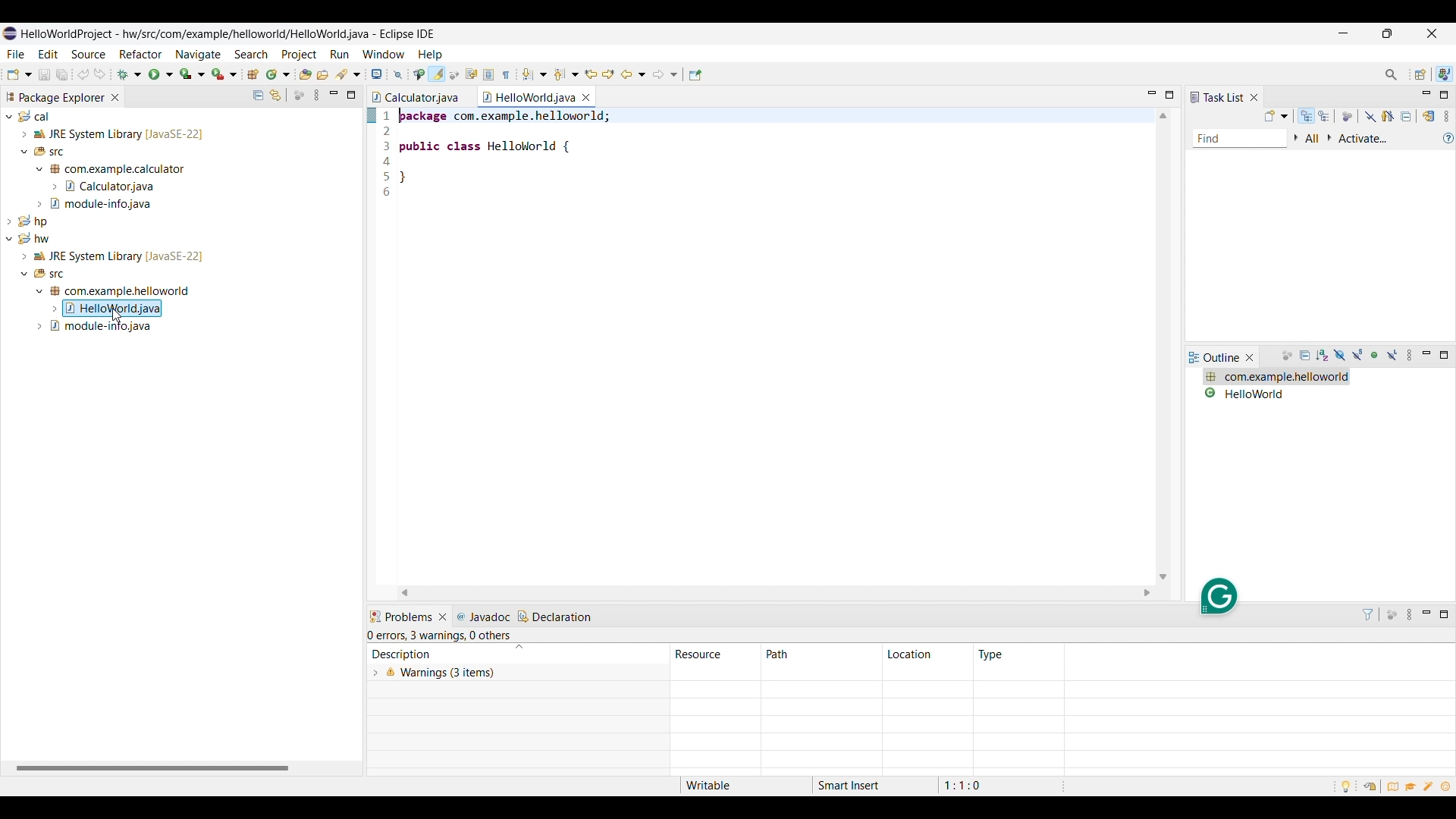 This screenshot has width=1456, height=819. Describe the element at coordinates (1306, 356) in the screenshot. I see `Collapse all` at that location.